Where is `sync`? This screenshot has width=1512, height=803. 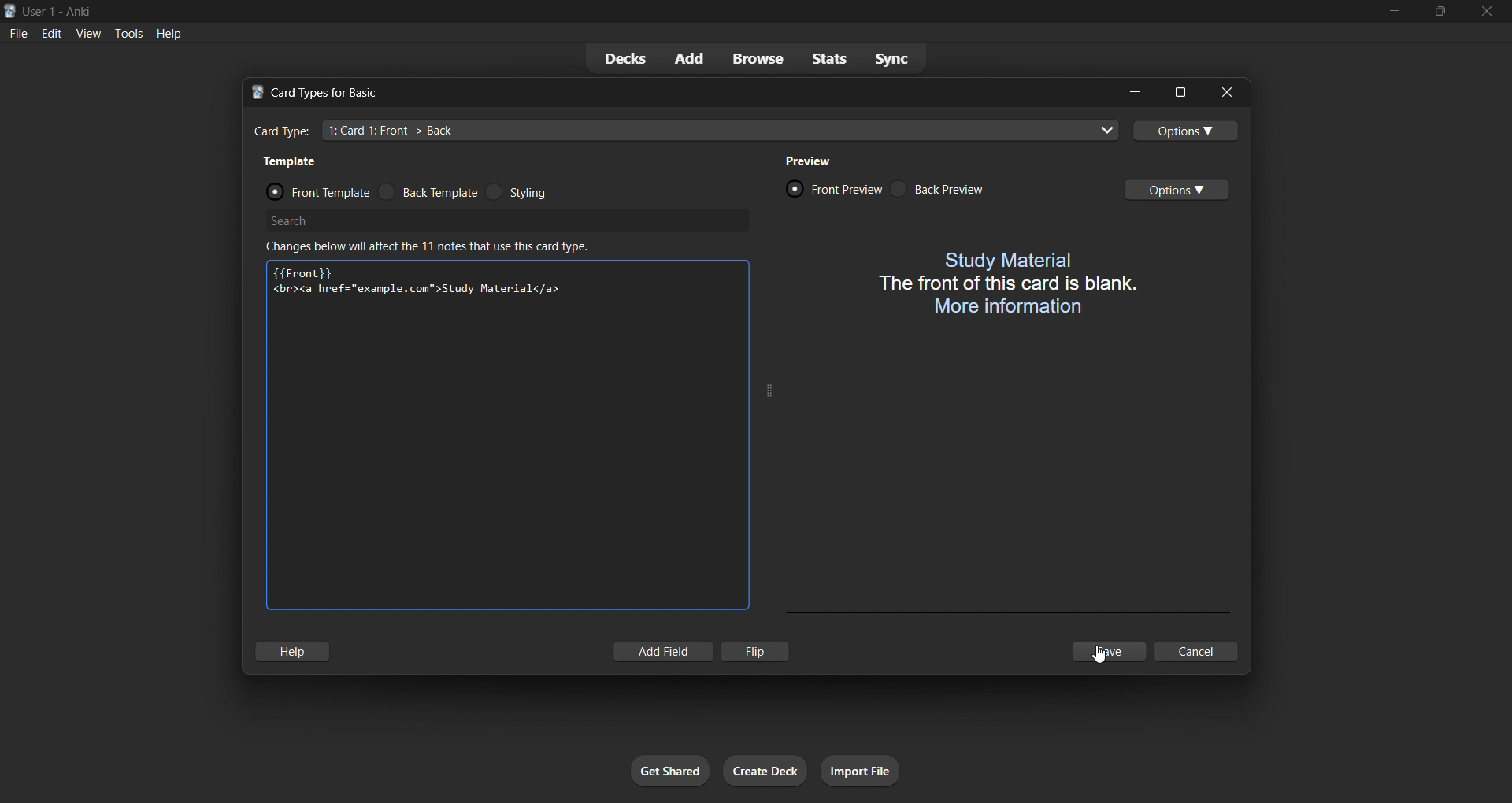 sync is located at coordinates (889, 60).